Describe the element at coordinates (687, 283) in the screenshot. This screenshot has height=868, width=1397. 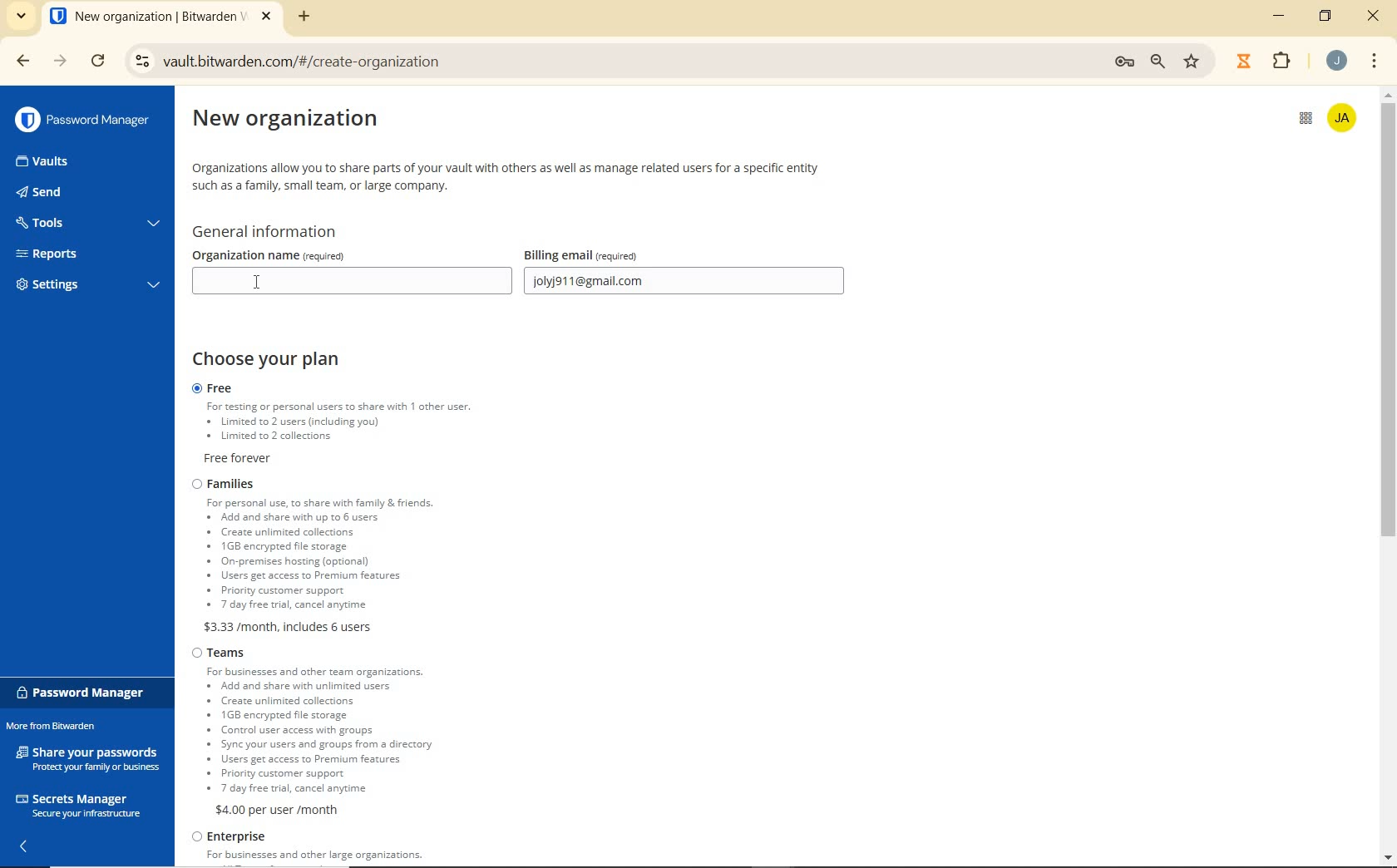
I see `jolyjo11@gmail.com` at that location.